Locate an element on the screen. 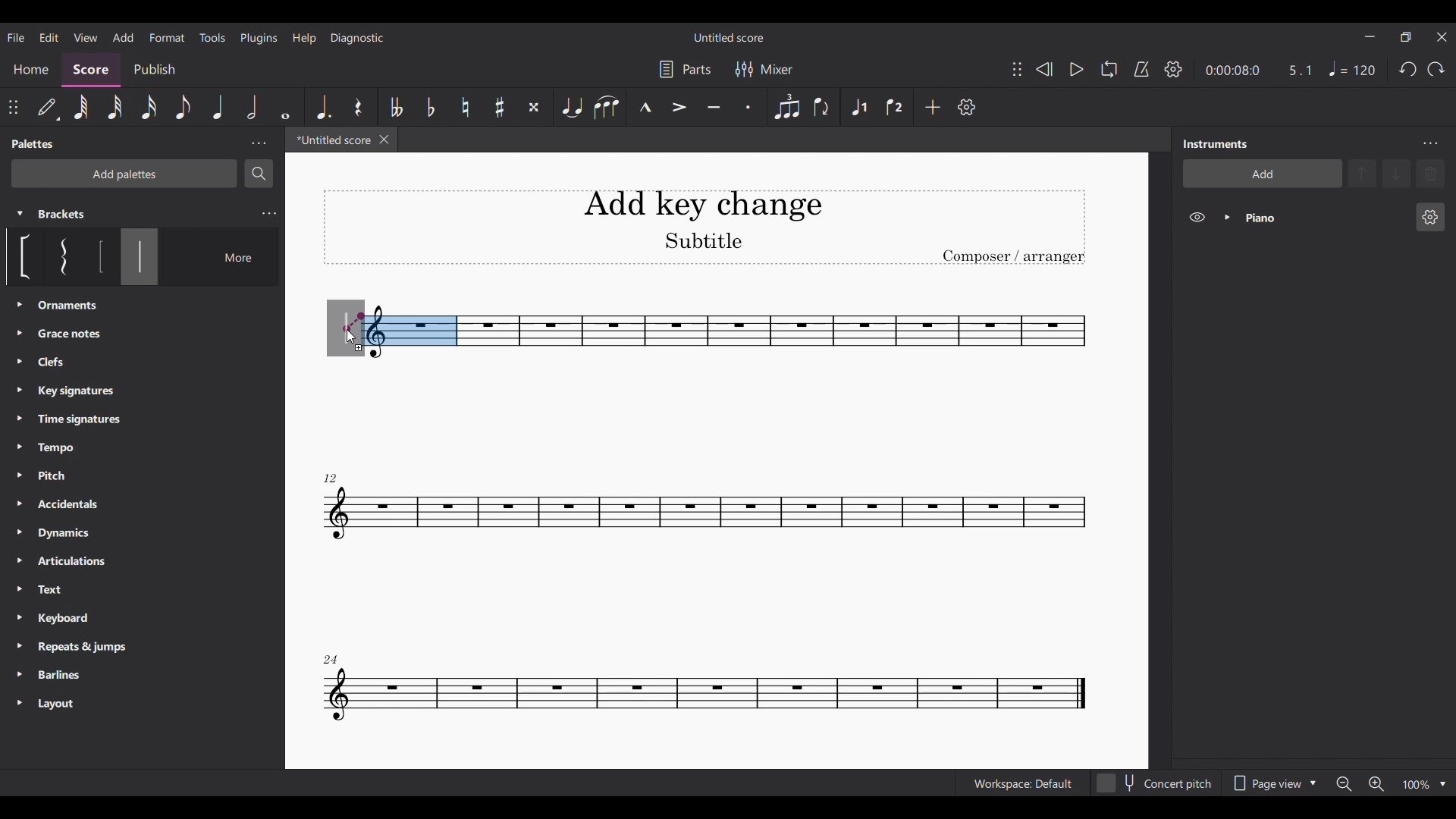 Image resolution: width=1456 pixels, height=819 pixels. Parts is located at coordinates (685, 69).